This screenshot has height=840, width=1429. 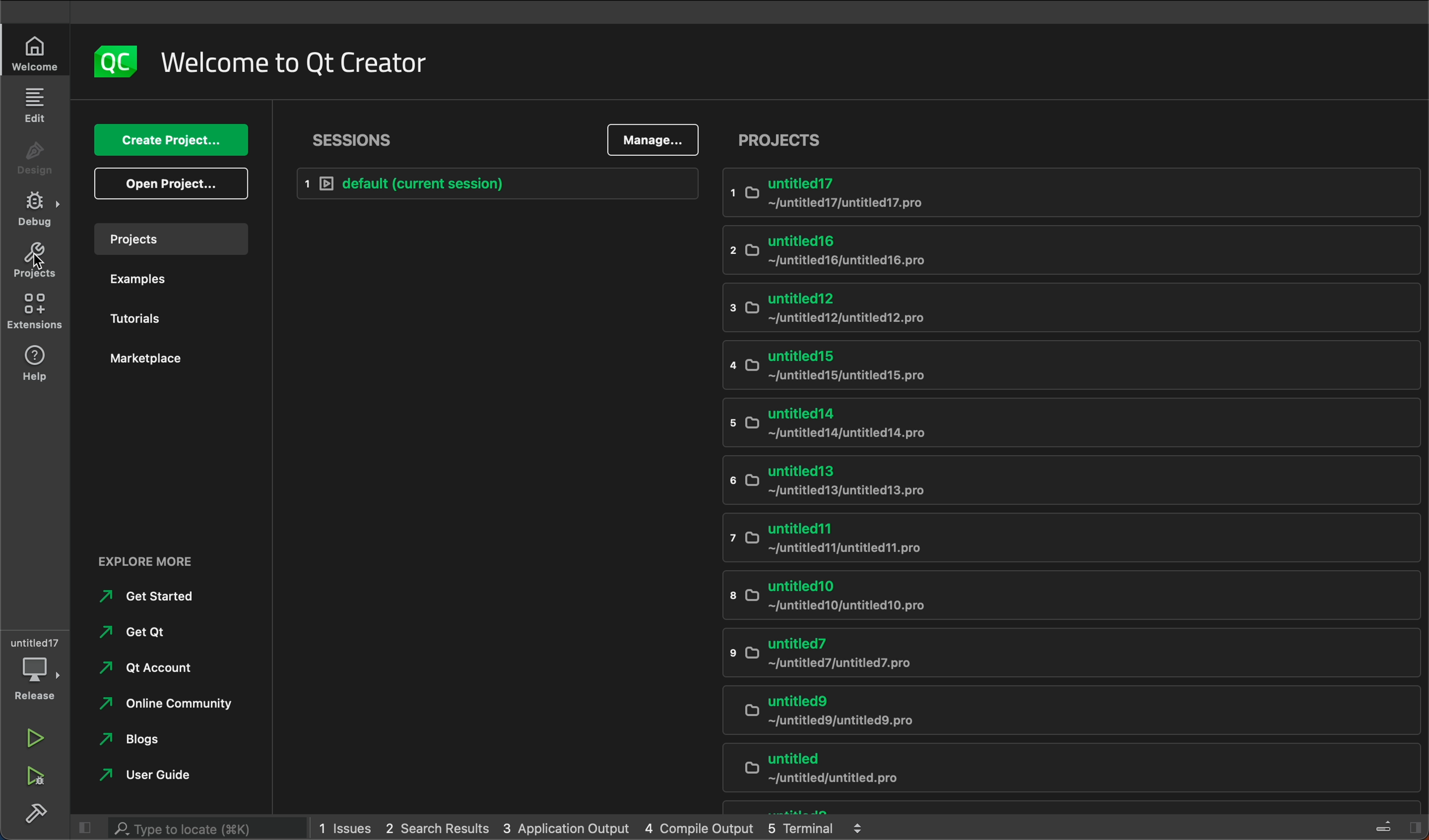 I want to click on untitled11, so click(x=1053, y=540).